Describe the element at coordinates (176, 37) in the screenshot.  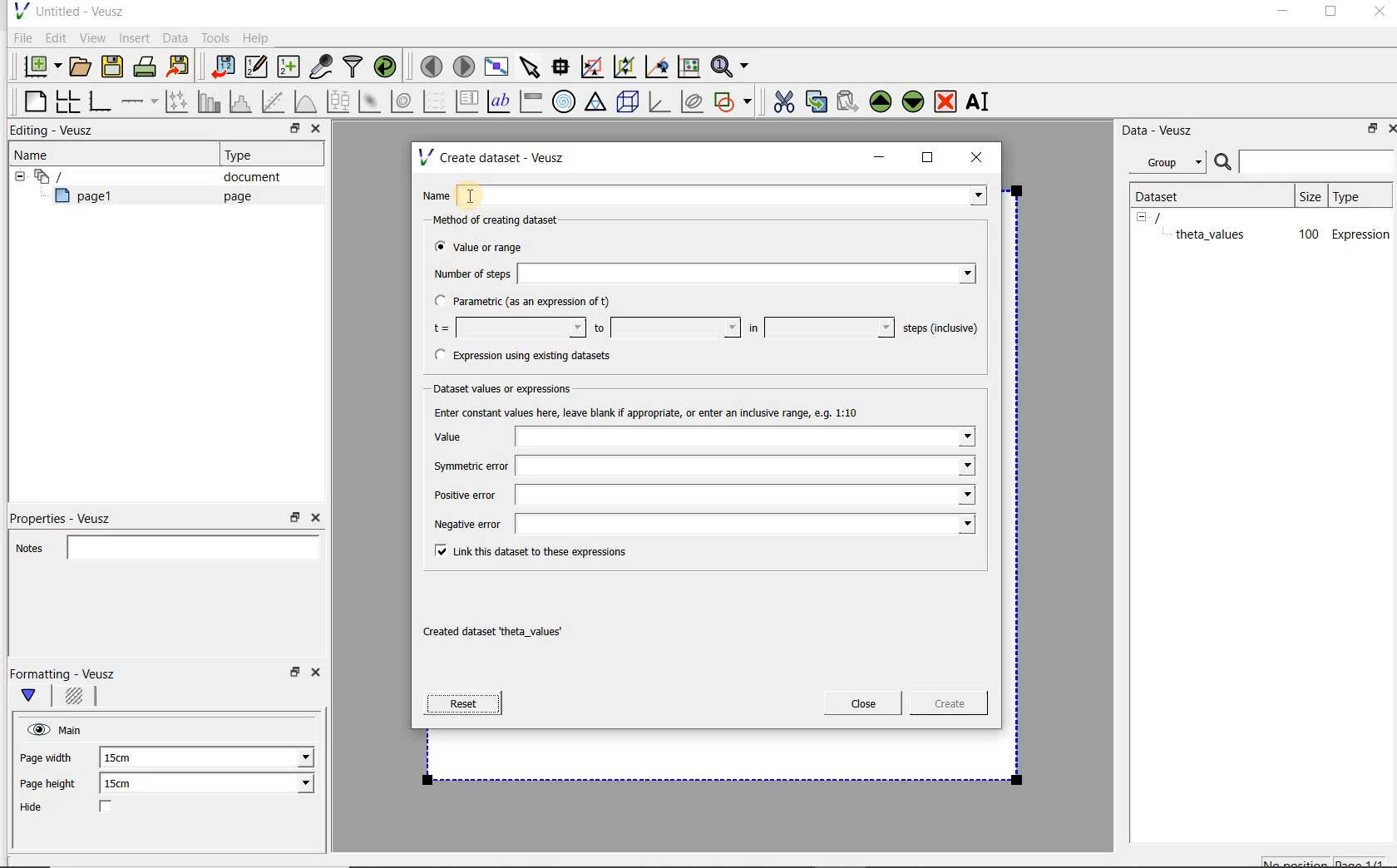
I see `Data` at that location.